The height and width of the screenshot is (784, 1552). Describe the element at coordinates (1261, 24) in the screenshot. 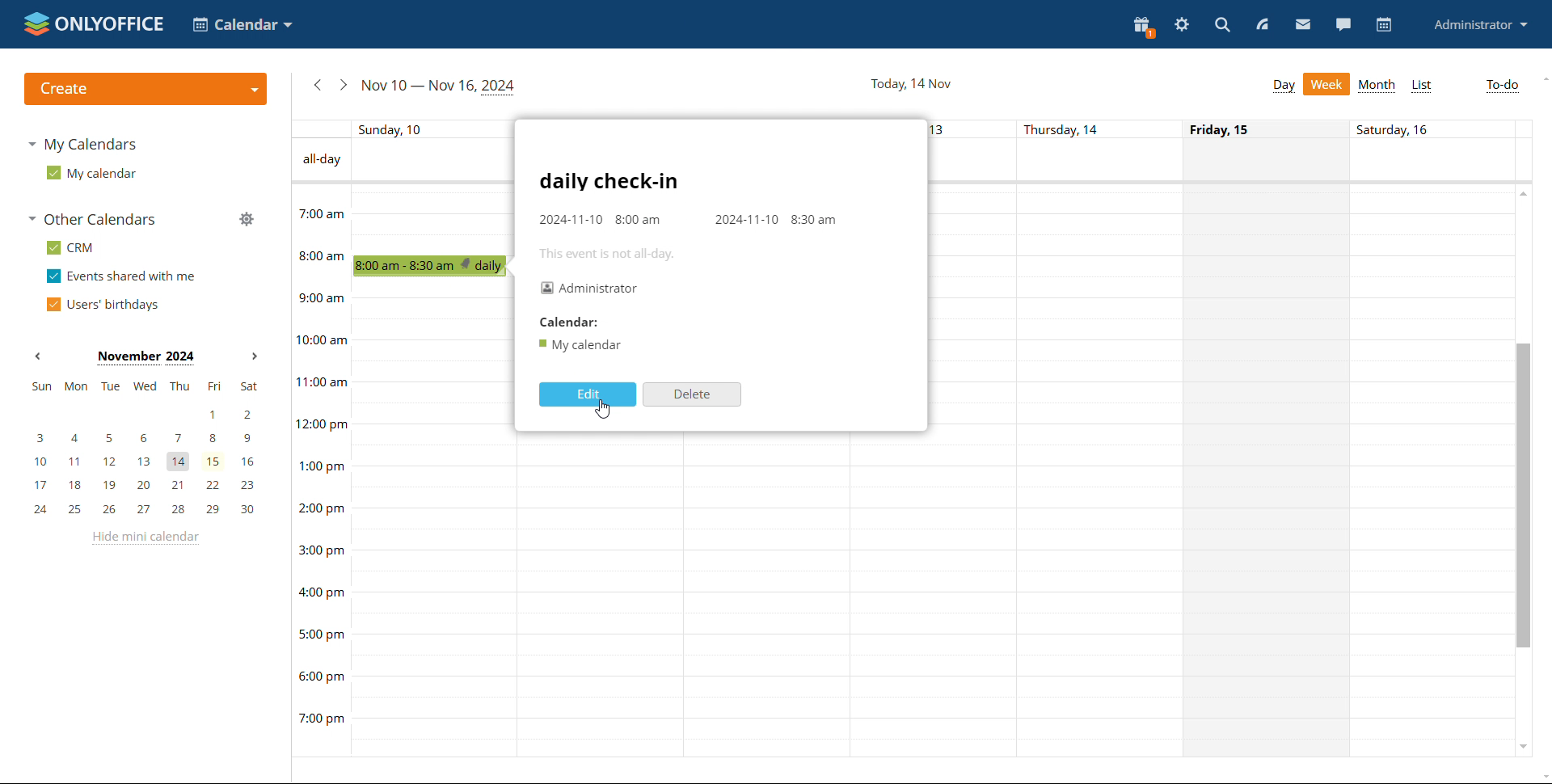

I see `feed` at that location.